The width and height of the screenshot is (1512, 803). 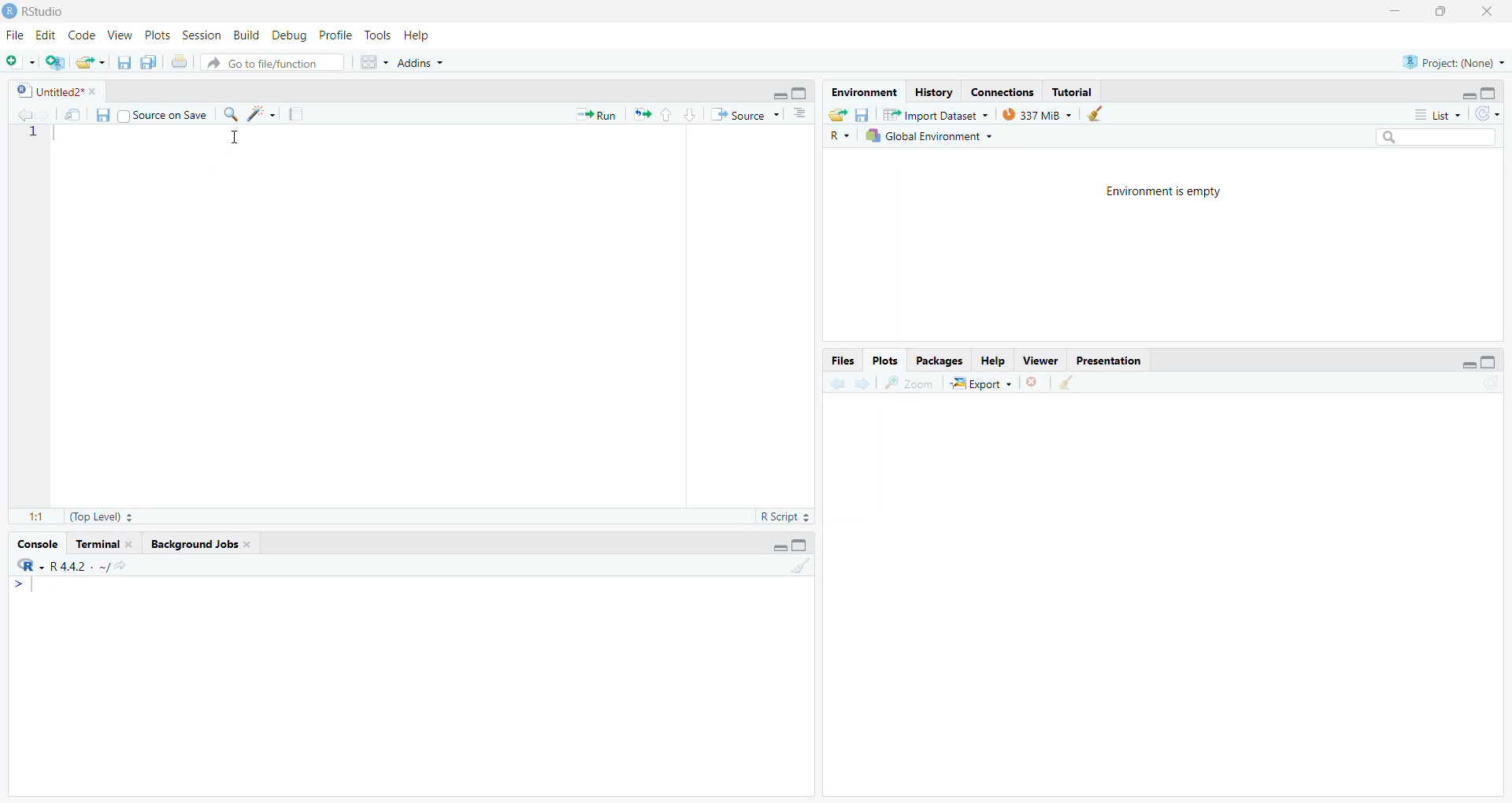 What do you see at coordinates (199, 545) in the screenshot?
I see `background Jobs` at bounding box center [199, 545].